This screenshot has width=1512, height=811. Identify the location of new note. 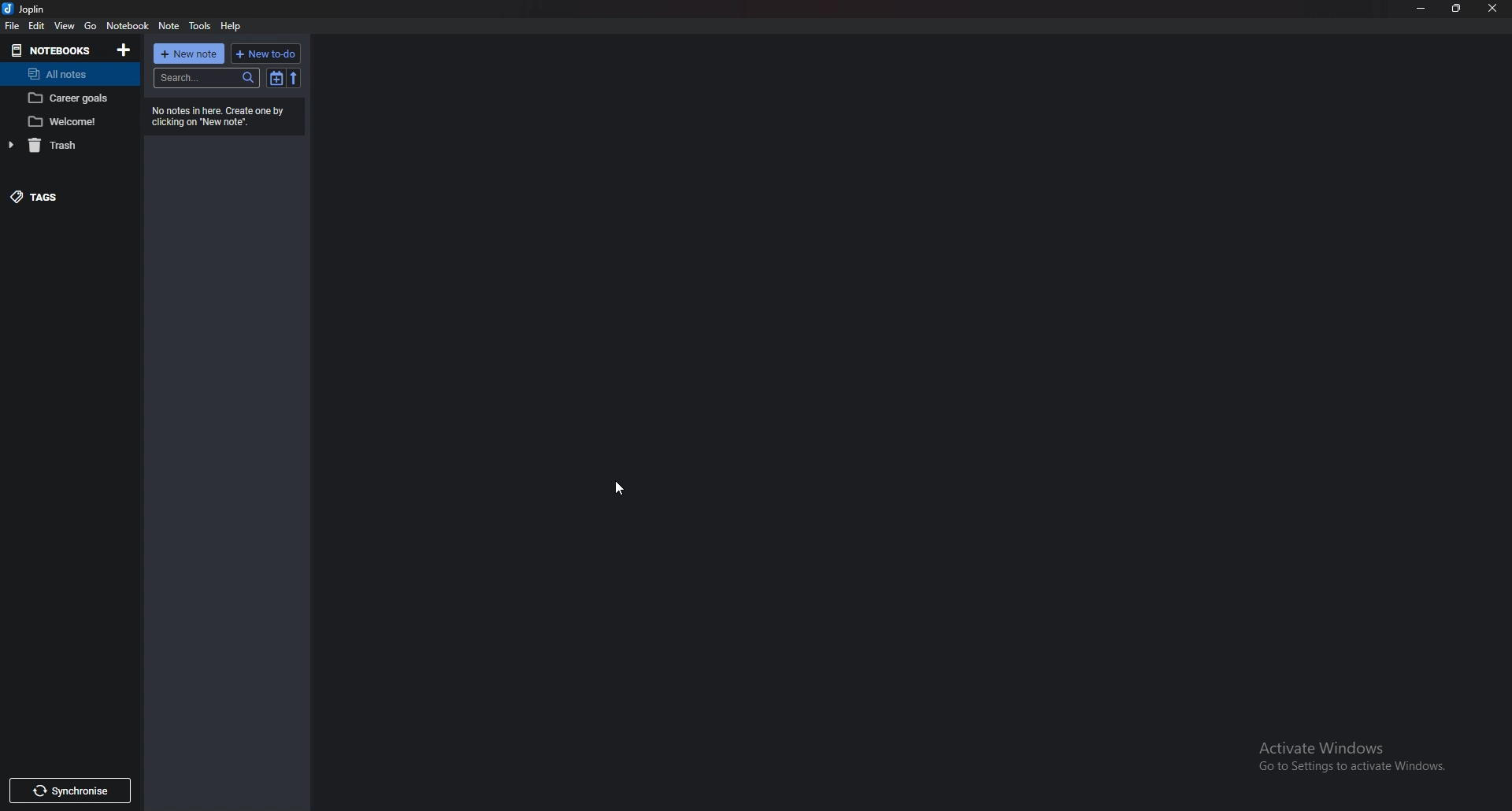
(189, 54).